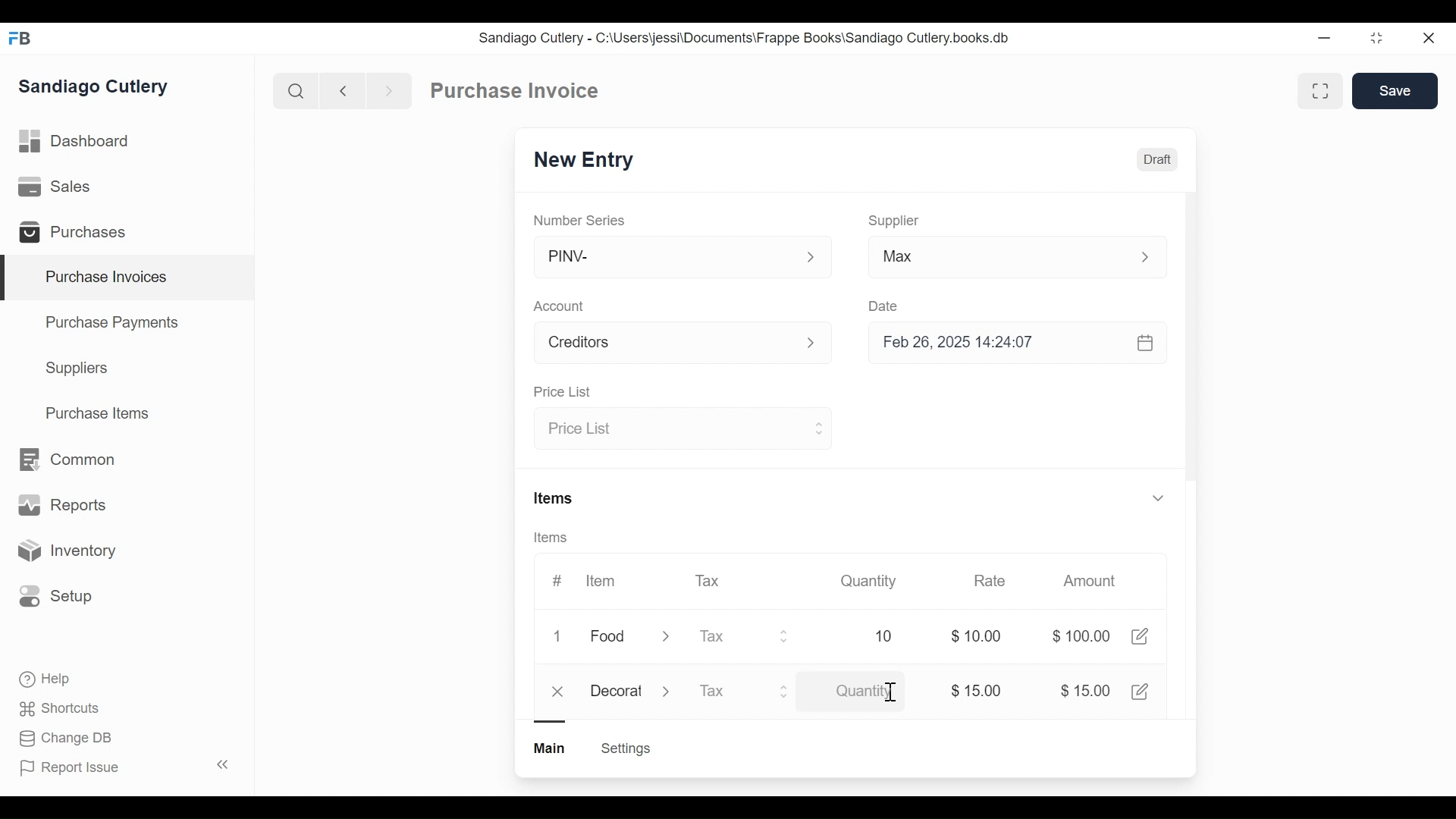 Image resolution: width=1456 pixels, height=819 pixels. I want to click on Items, so click(556, 538).